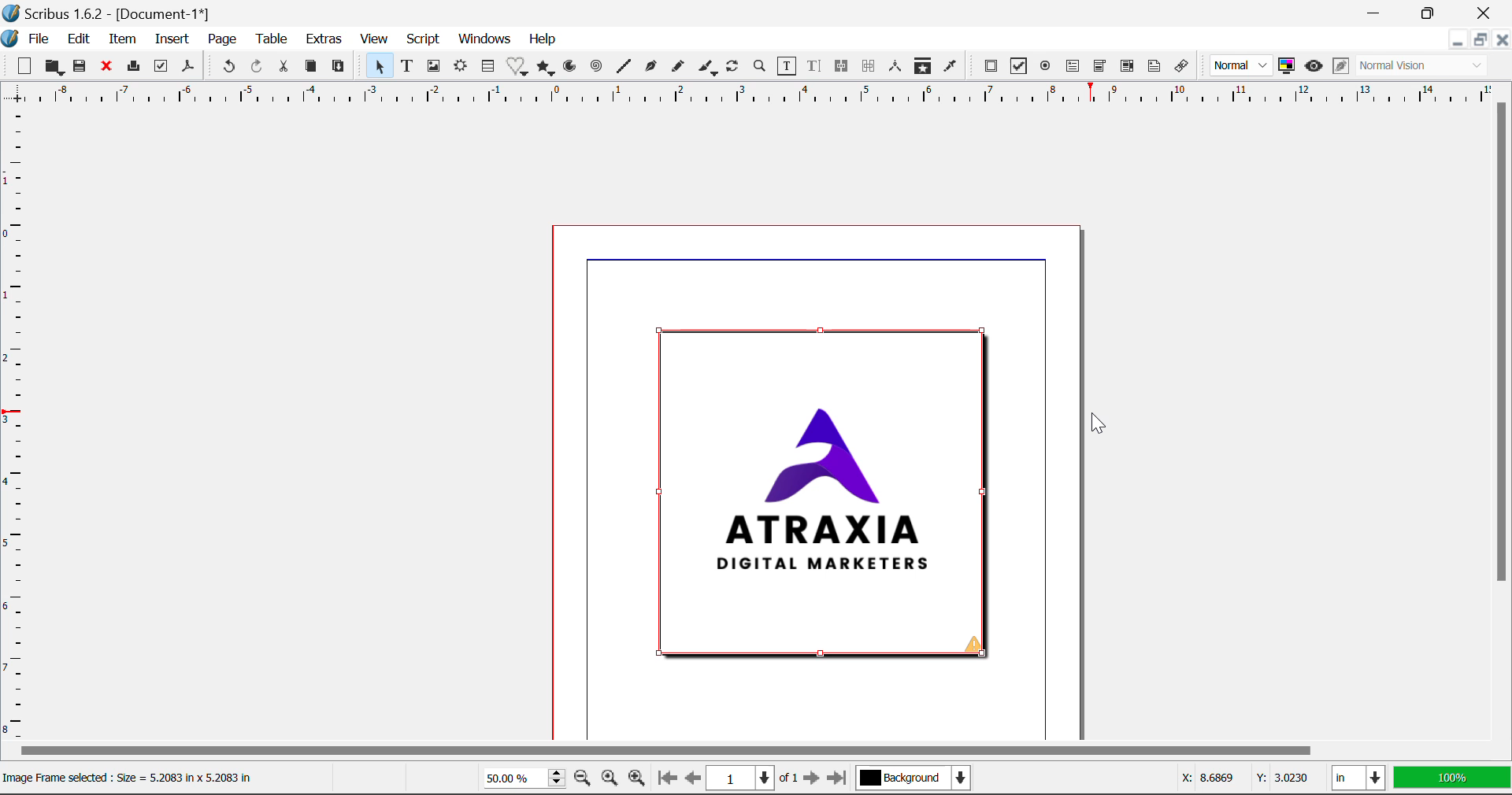  I want to click on Text Annotation, so click(1154, 68).